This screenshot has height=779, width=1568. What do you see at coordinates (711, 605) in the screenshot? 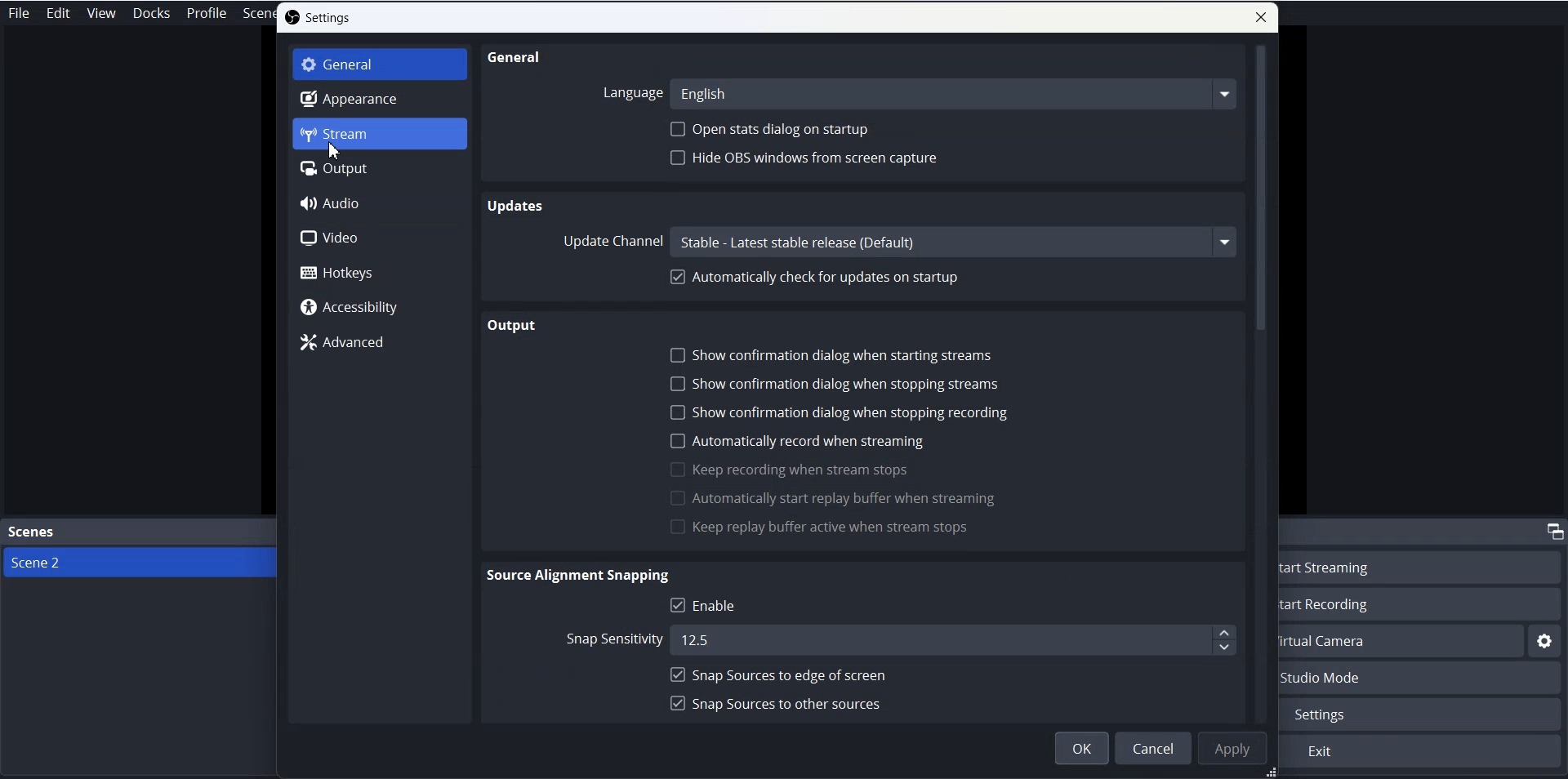
I see `Enable` at bounding box center [711, 605].